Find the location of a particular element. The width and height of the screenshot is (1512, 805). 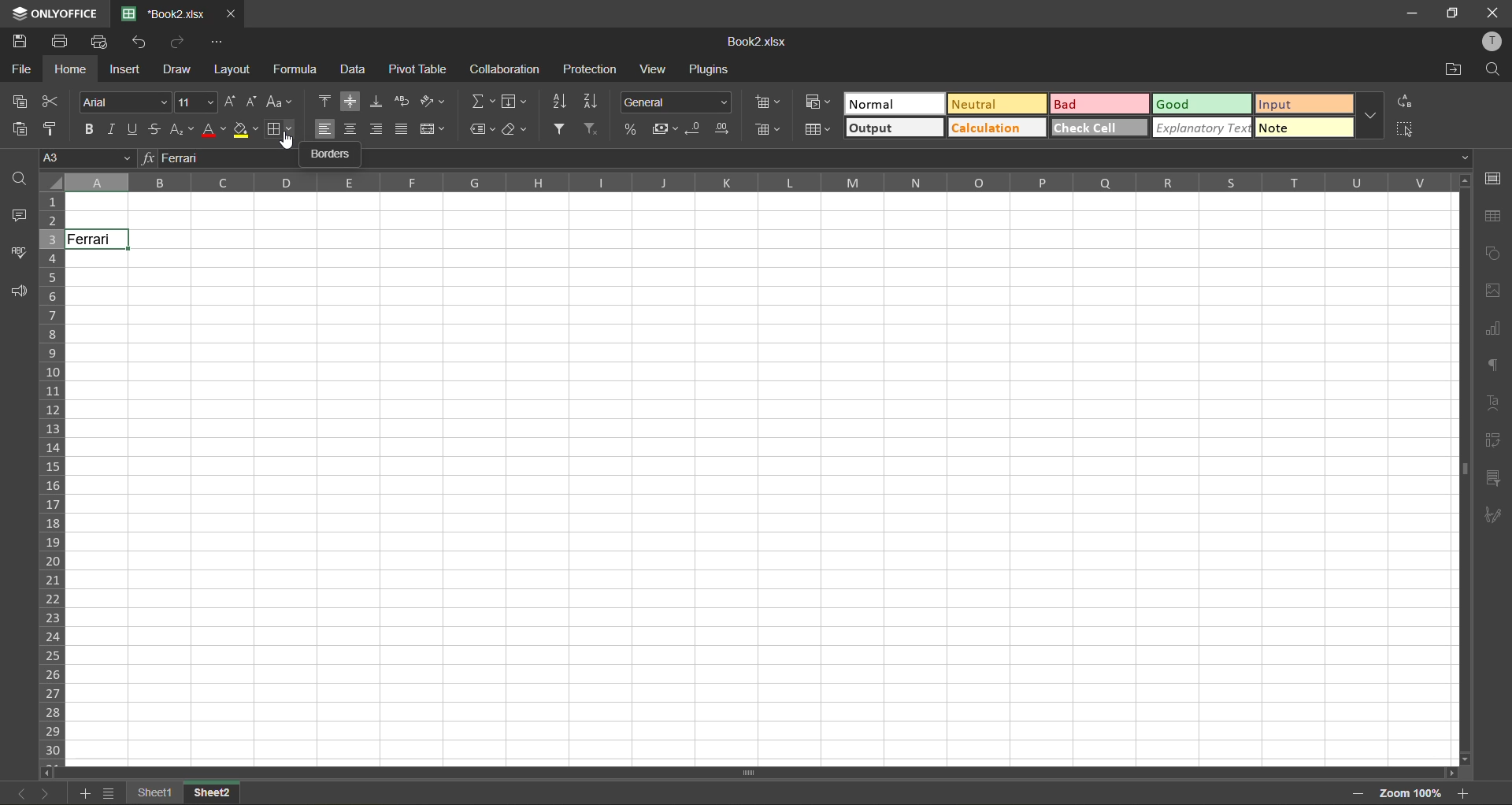

customize quick access toolbar is located at coordinates (217, 42).